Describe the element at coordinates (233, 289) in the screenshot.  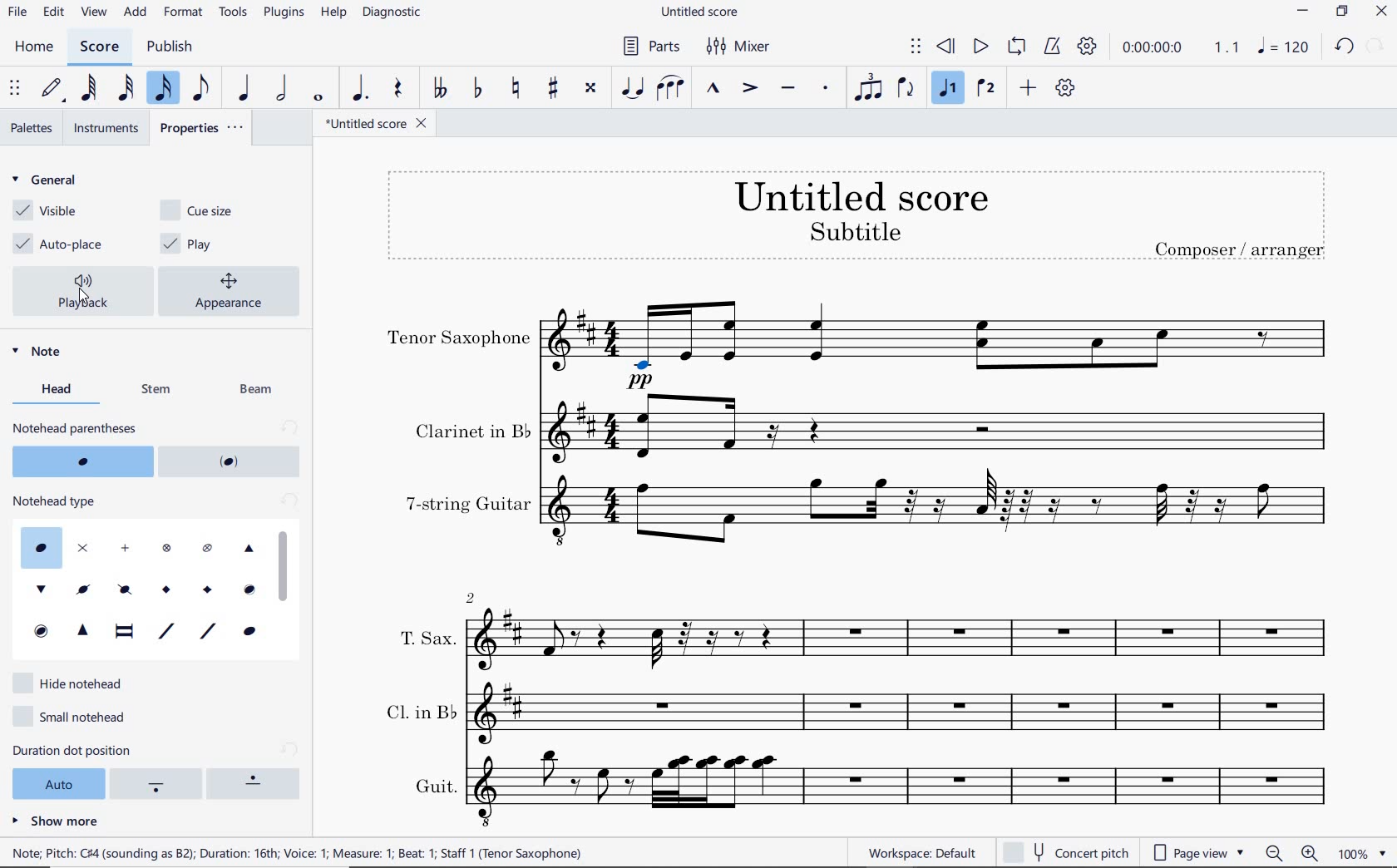
I see `appearance` at that location.